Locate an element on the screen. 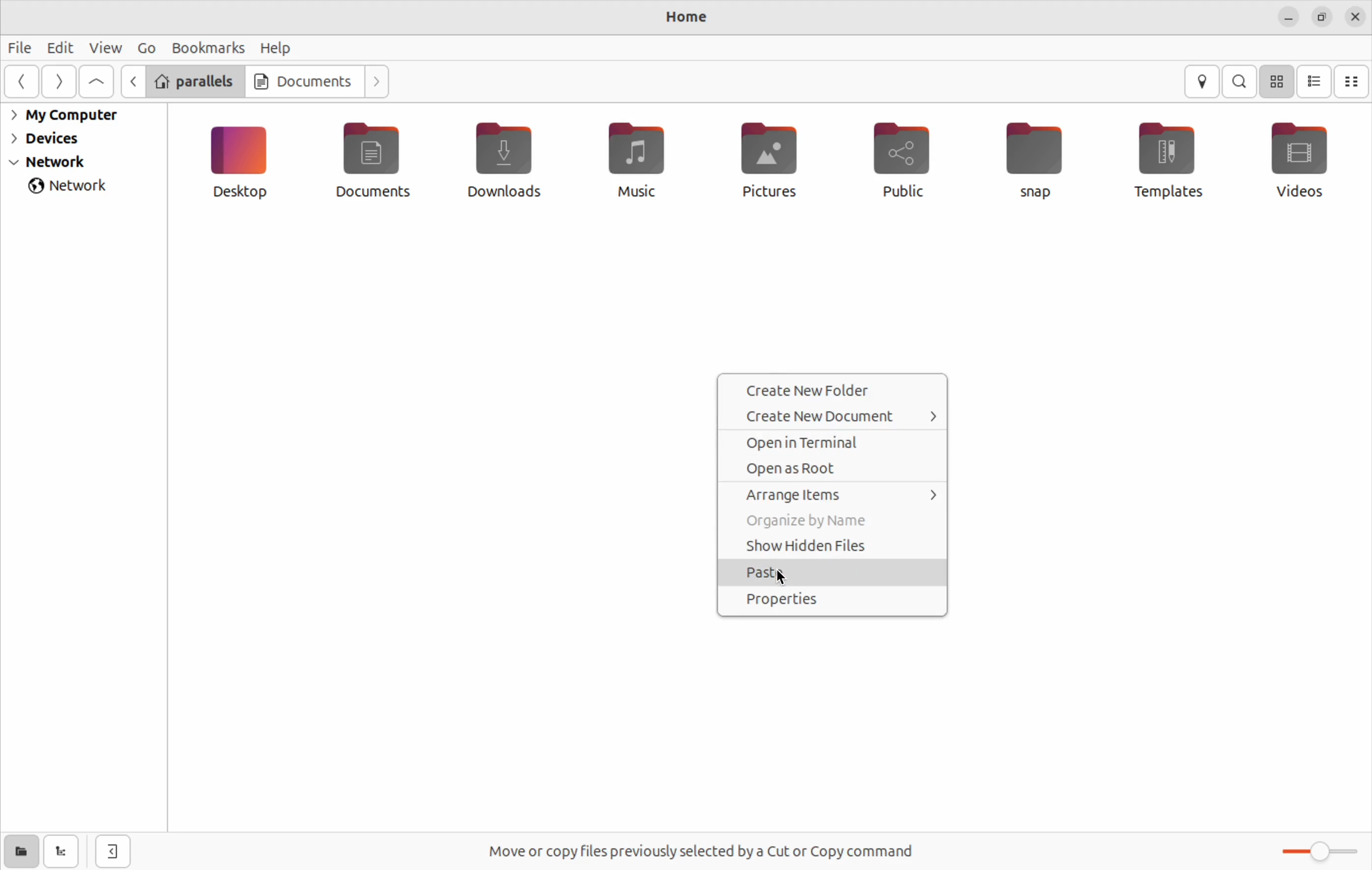 Image resolution: width=1372 pixels, height=870 pixels. Devices is located at coordinates (56, 138).